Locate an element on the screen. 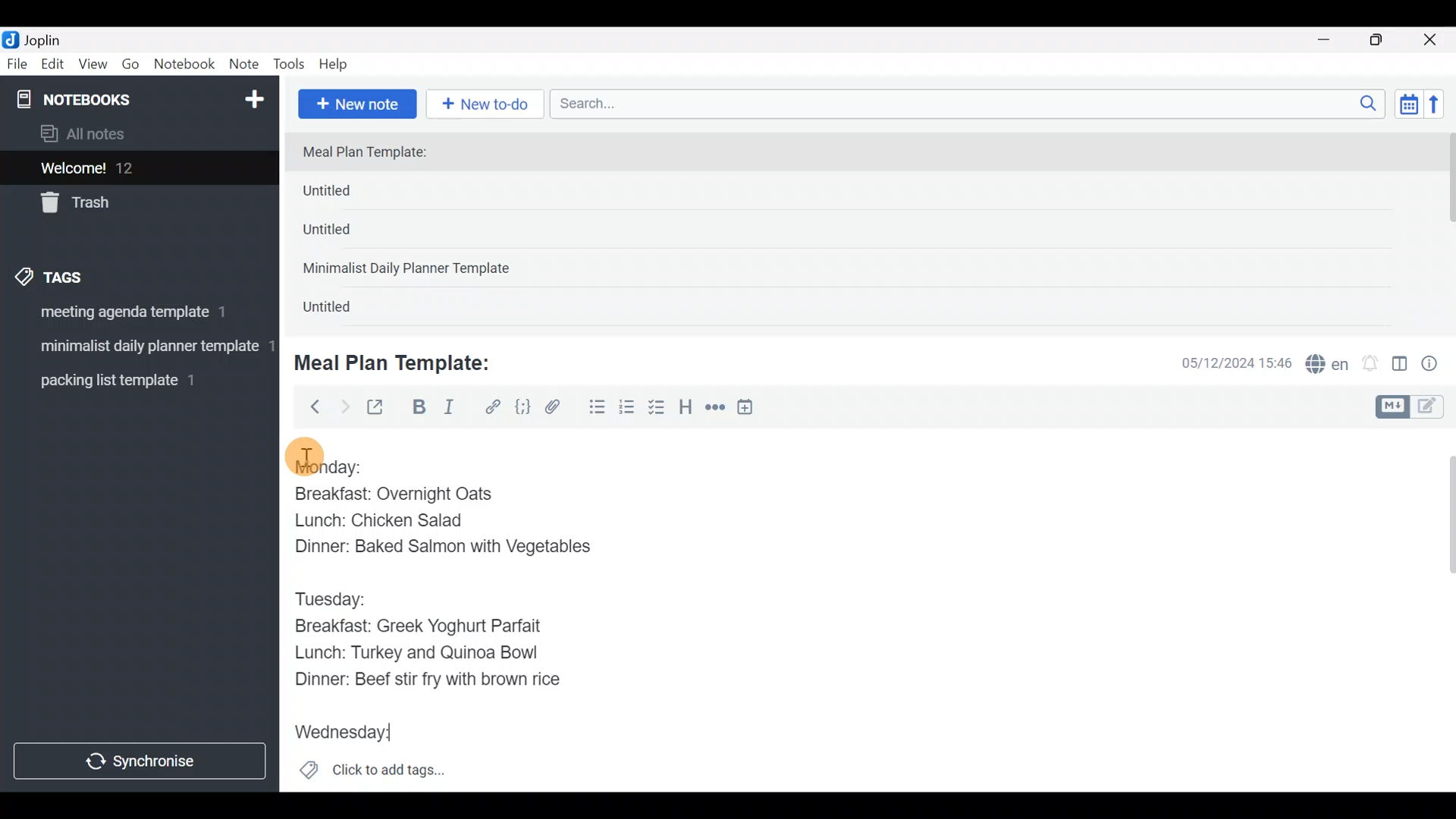  All notes is located at coordinates (136, 135).